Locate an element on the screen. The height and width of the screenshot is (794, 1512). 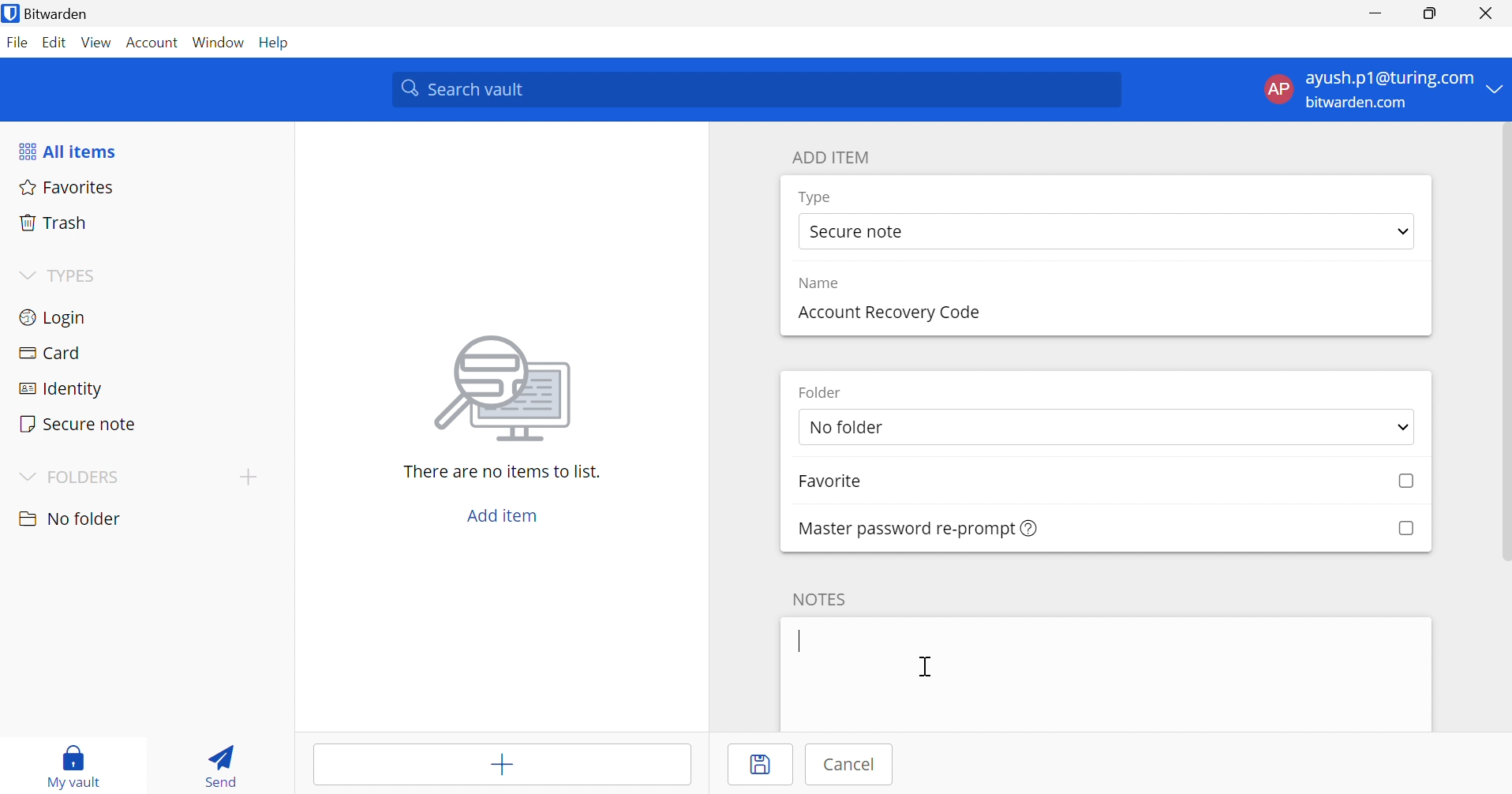
Drop Down is located at coordinates (1496, 90).